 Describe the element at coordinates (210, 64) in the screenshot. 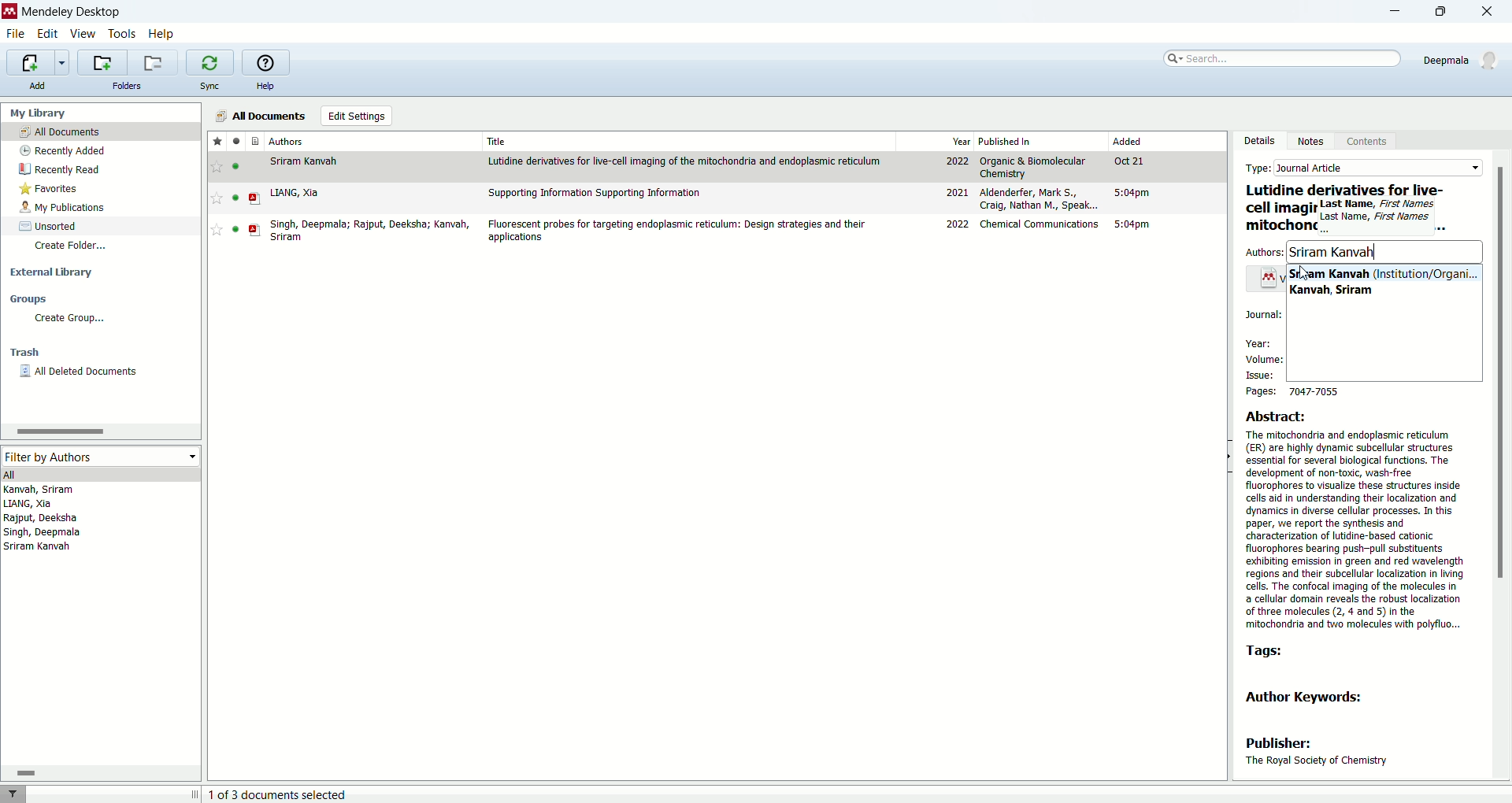

I see `synchronize library with mendeley web` at that location.